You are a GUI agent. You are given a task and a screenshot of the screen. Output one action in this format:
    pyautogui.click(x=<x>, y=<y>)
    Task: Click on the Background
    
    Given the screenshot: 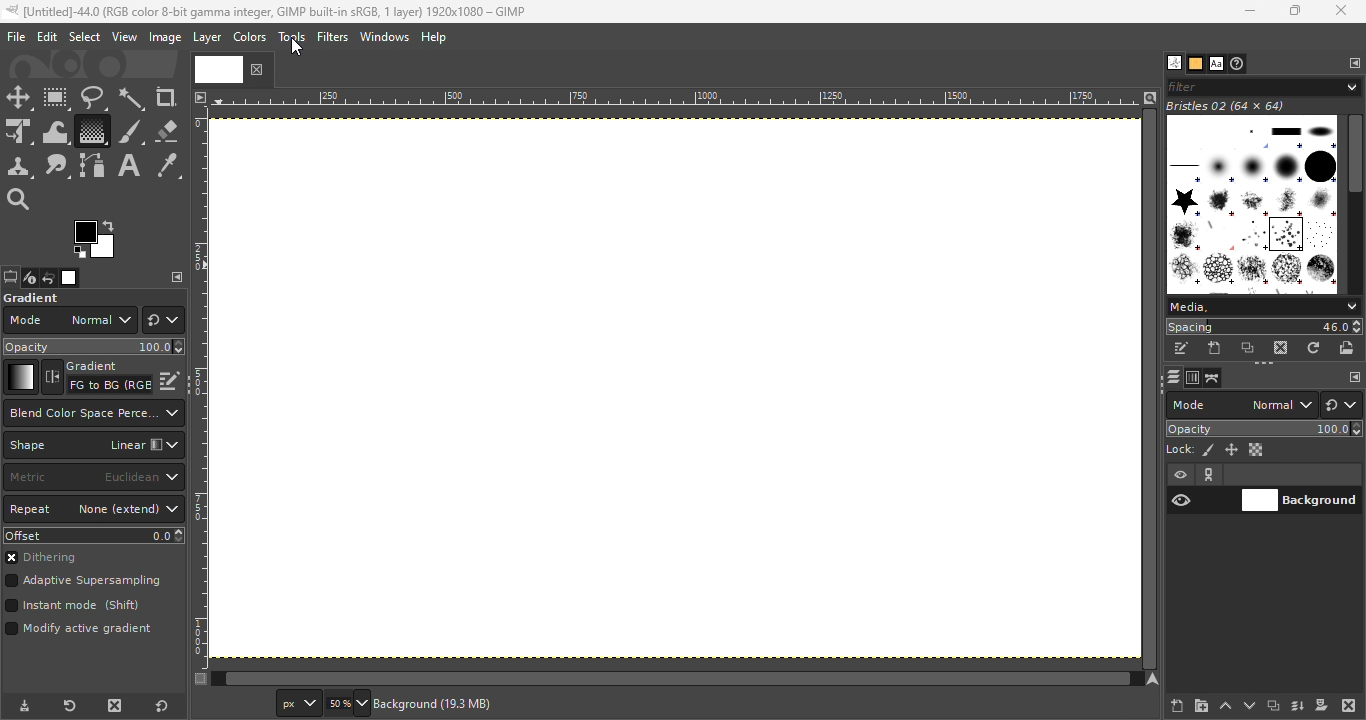 What is the action you would take?
    pyautogui.click(x=1300, y=498)
    